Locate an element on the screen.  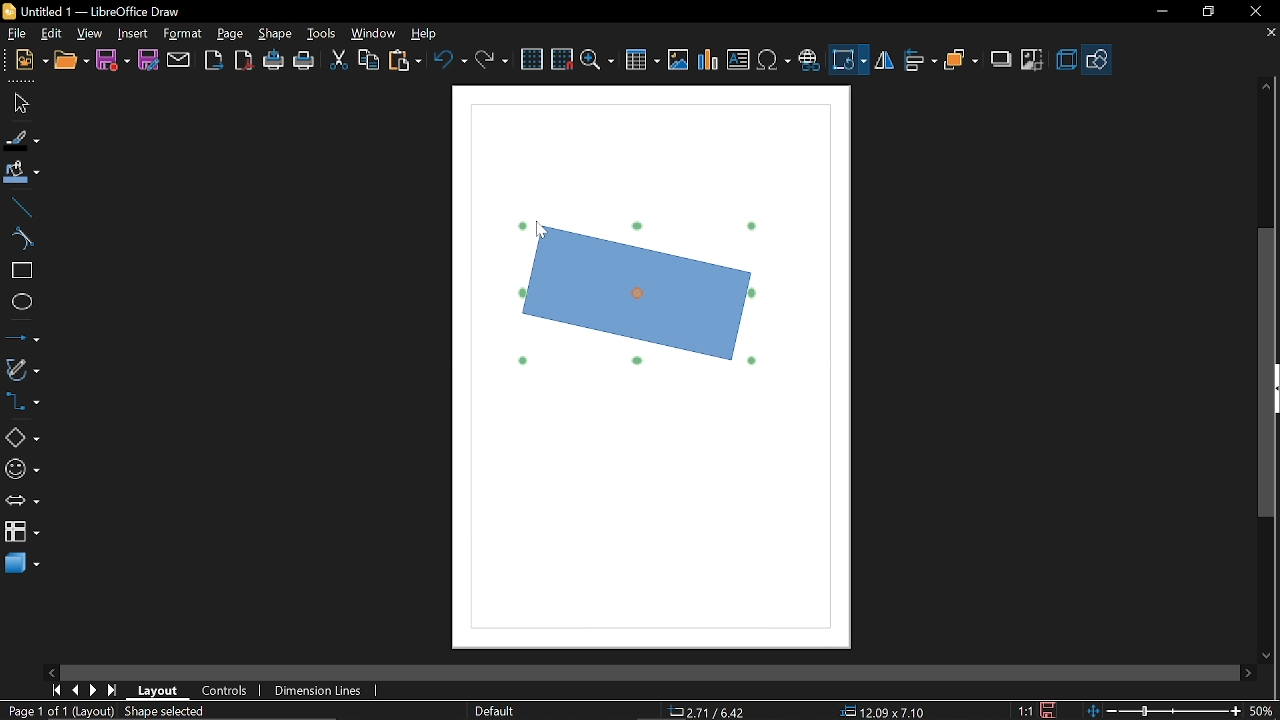
vertical scrollbar is located at coordinates (1267, 374).